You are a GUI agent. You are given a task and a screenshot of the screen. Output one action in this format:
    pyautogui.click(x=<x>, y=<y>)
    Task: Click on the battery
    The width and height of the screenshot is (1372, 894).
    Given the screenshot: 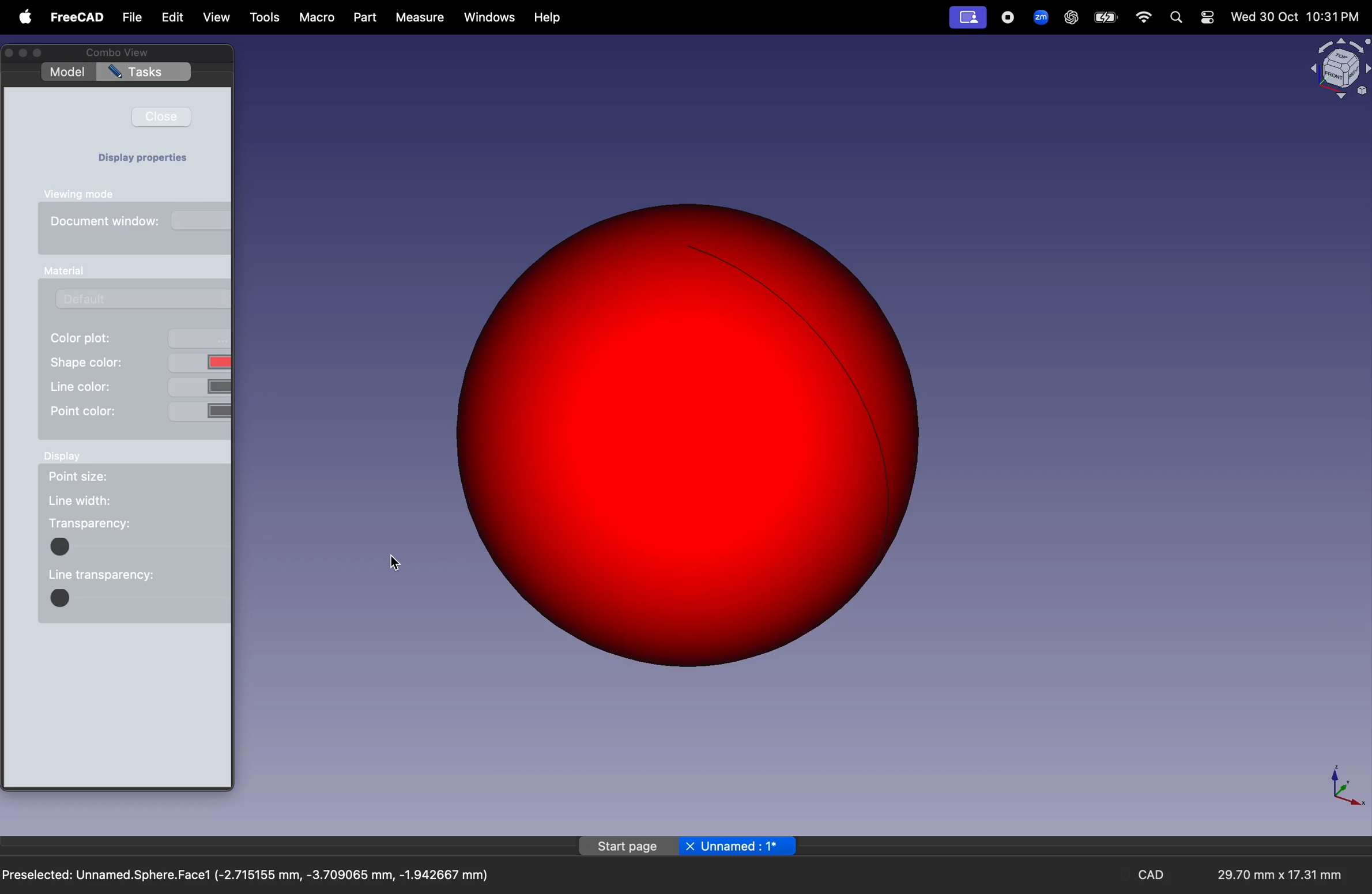 What is the action you would take?
    pyautogui.click(x=1106, y=18)
    